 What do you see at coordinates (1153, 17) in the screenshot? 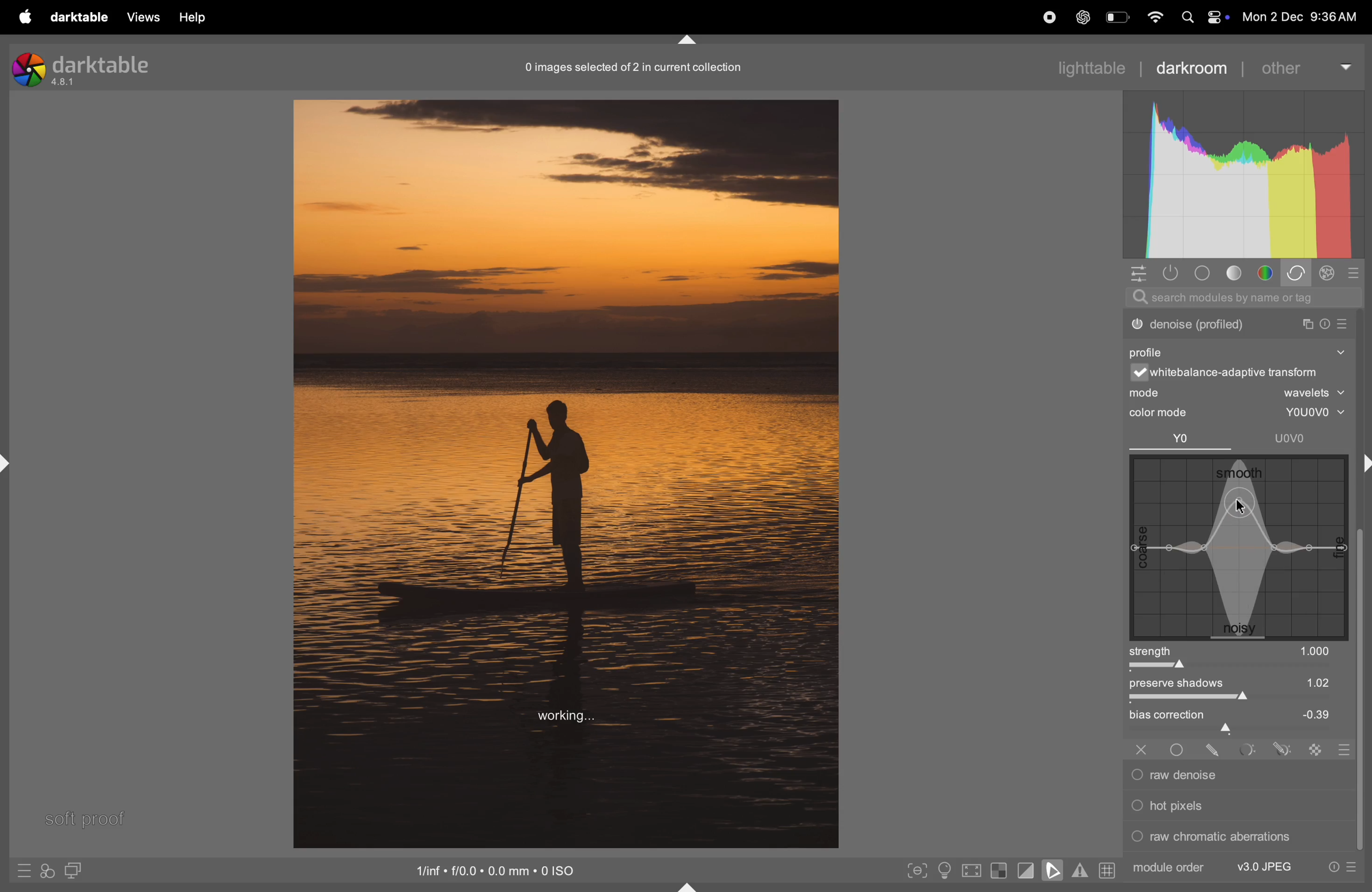
I see `wifi` at bounding box center [1153, 17].